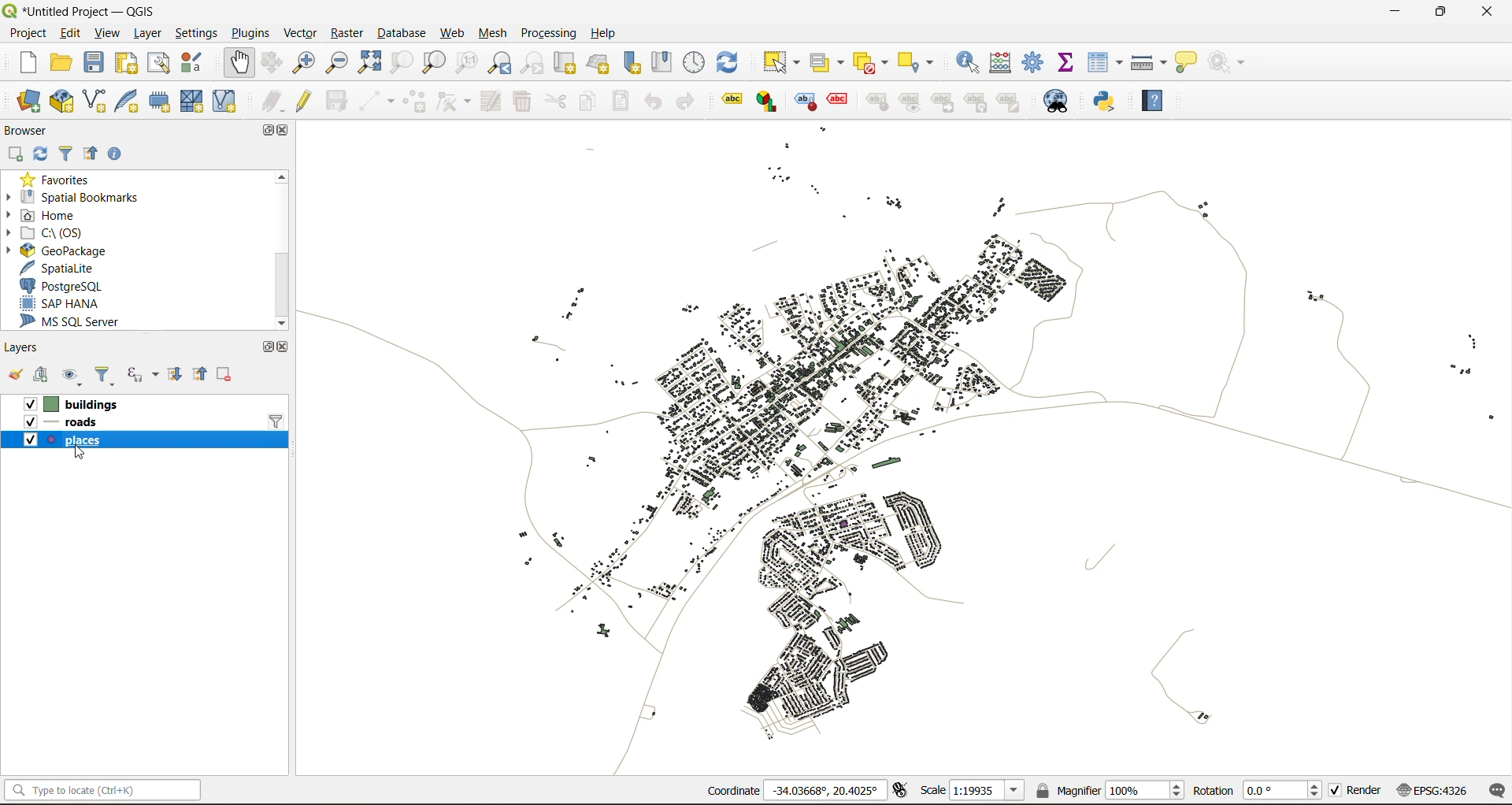  What do you see at coordinates (109, 32) in the screenshot?
I see `view` at bounding box center [109, 32].